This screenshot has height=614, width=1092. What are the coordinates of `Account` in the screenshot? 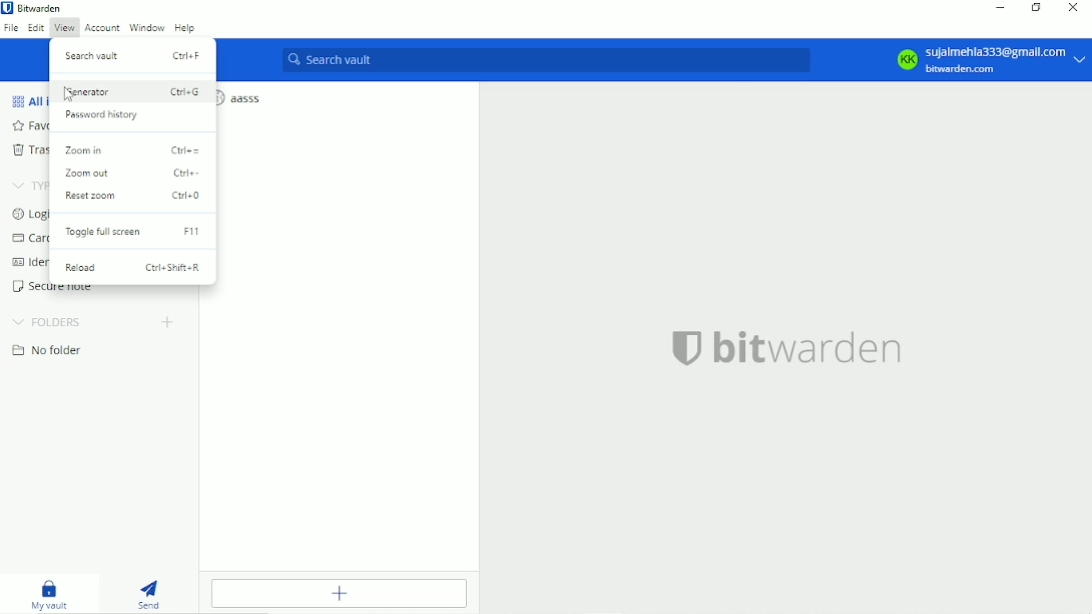 It's located at (101, 28).